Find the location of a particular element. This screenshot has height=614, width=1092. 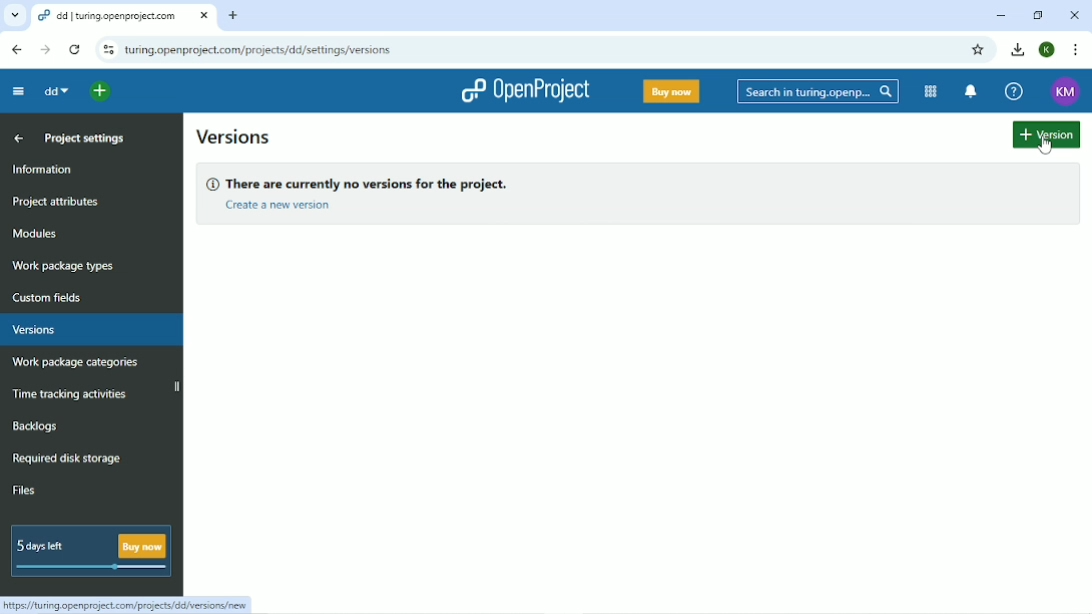

View site information is located at coordinates (108, 49).